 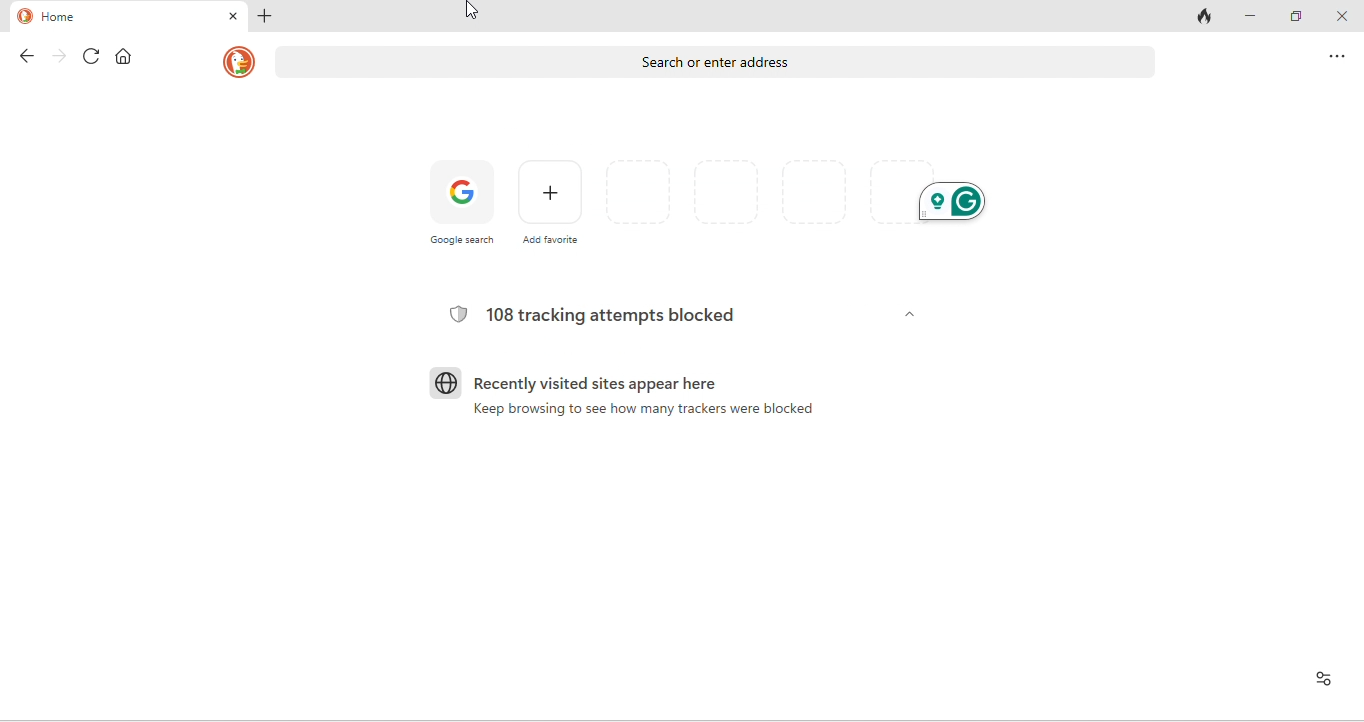 What do you see at coordinates (714, 61) in the screenshot?
I see `search or enter address` at bounding box center [714, 61].